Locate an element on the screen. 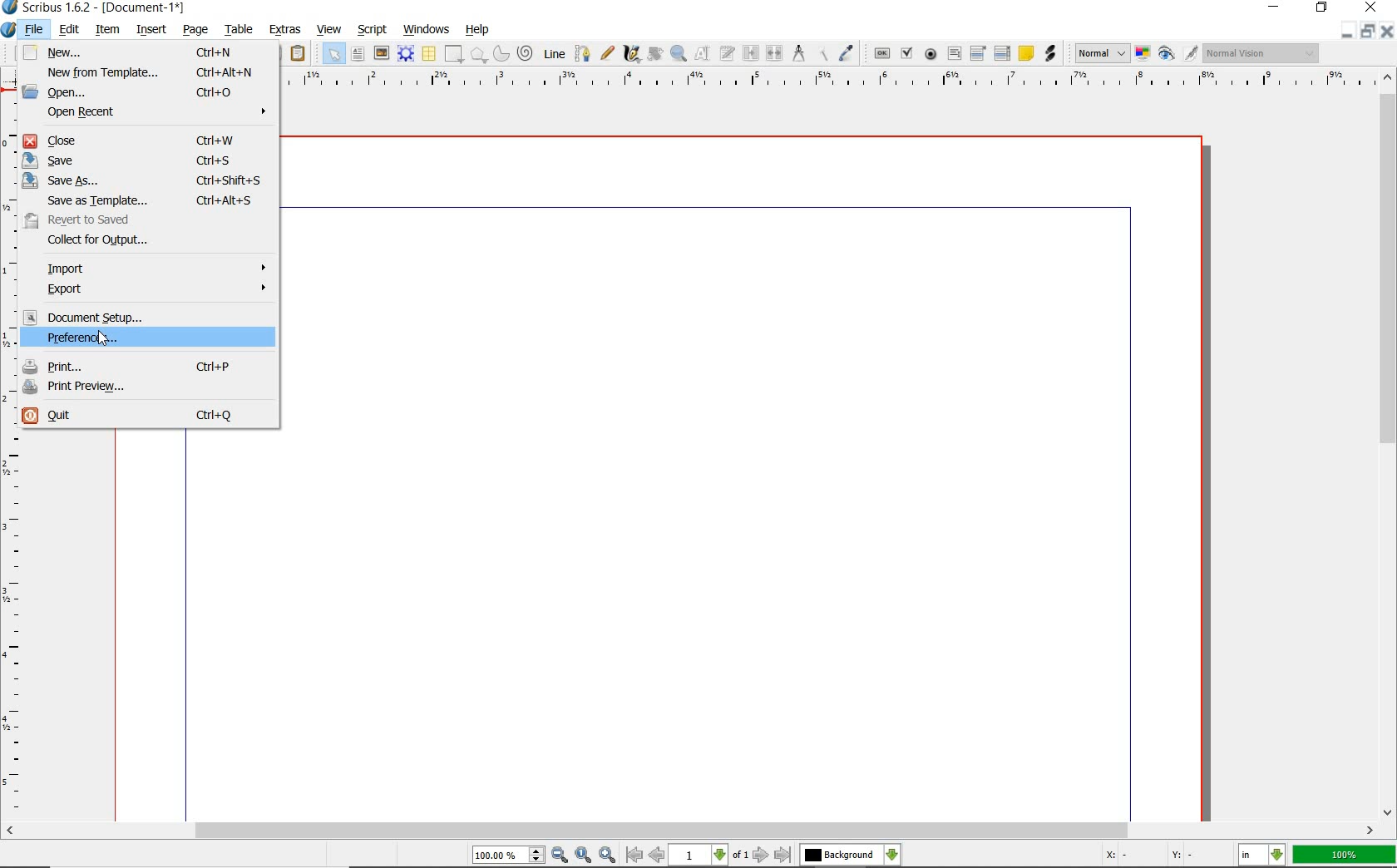 This screenshot has width=1397, height=868. cursor is located at coordinates (104, 339).